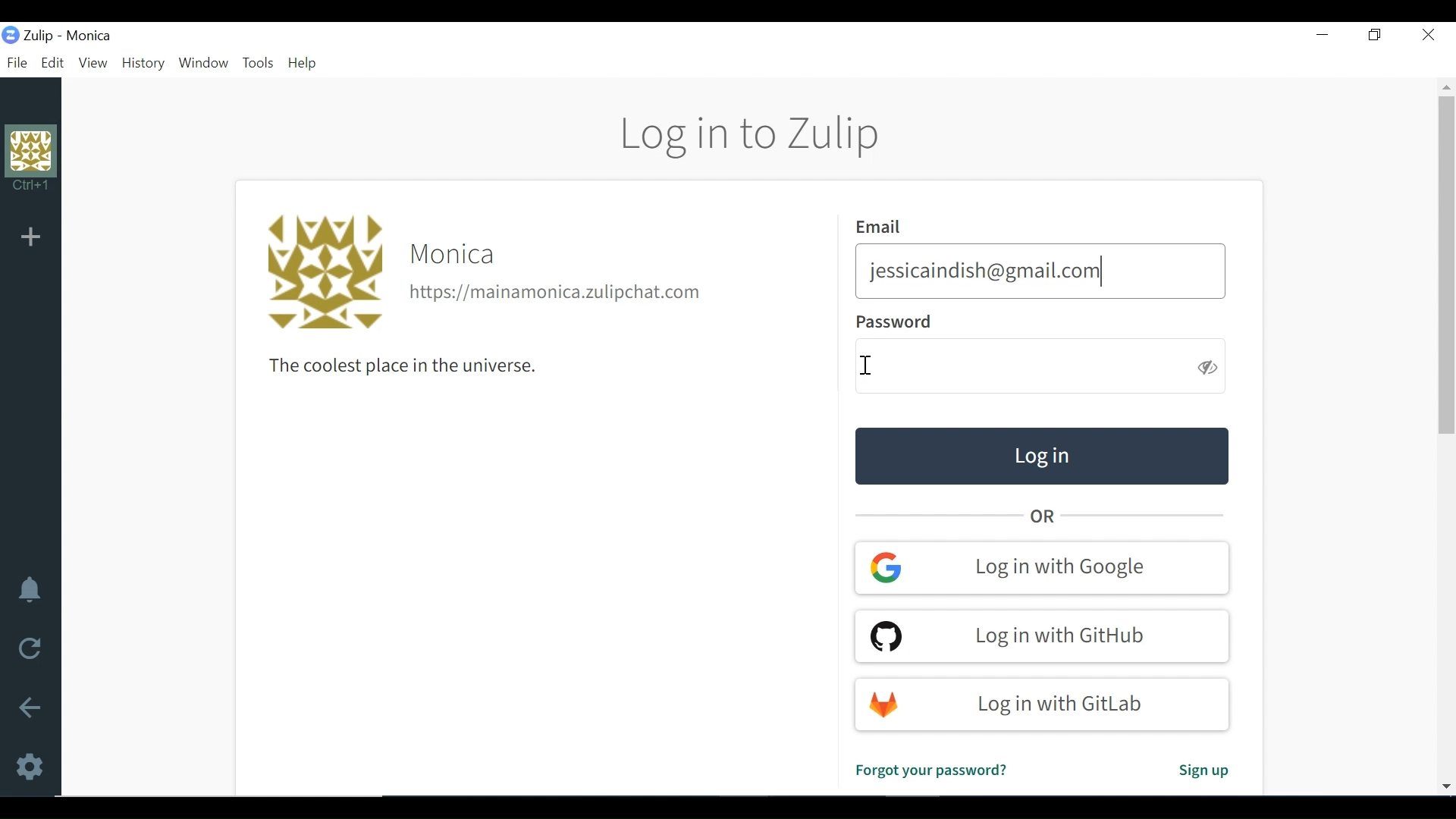 This screenshot has height=819, width=1456. What do you see at coordinates (987, 271) in the screenshot?
I see `jessicaindish@gmail.com|` at bounding box center [987, 271].